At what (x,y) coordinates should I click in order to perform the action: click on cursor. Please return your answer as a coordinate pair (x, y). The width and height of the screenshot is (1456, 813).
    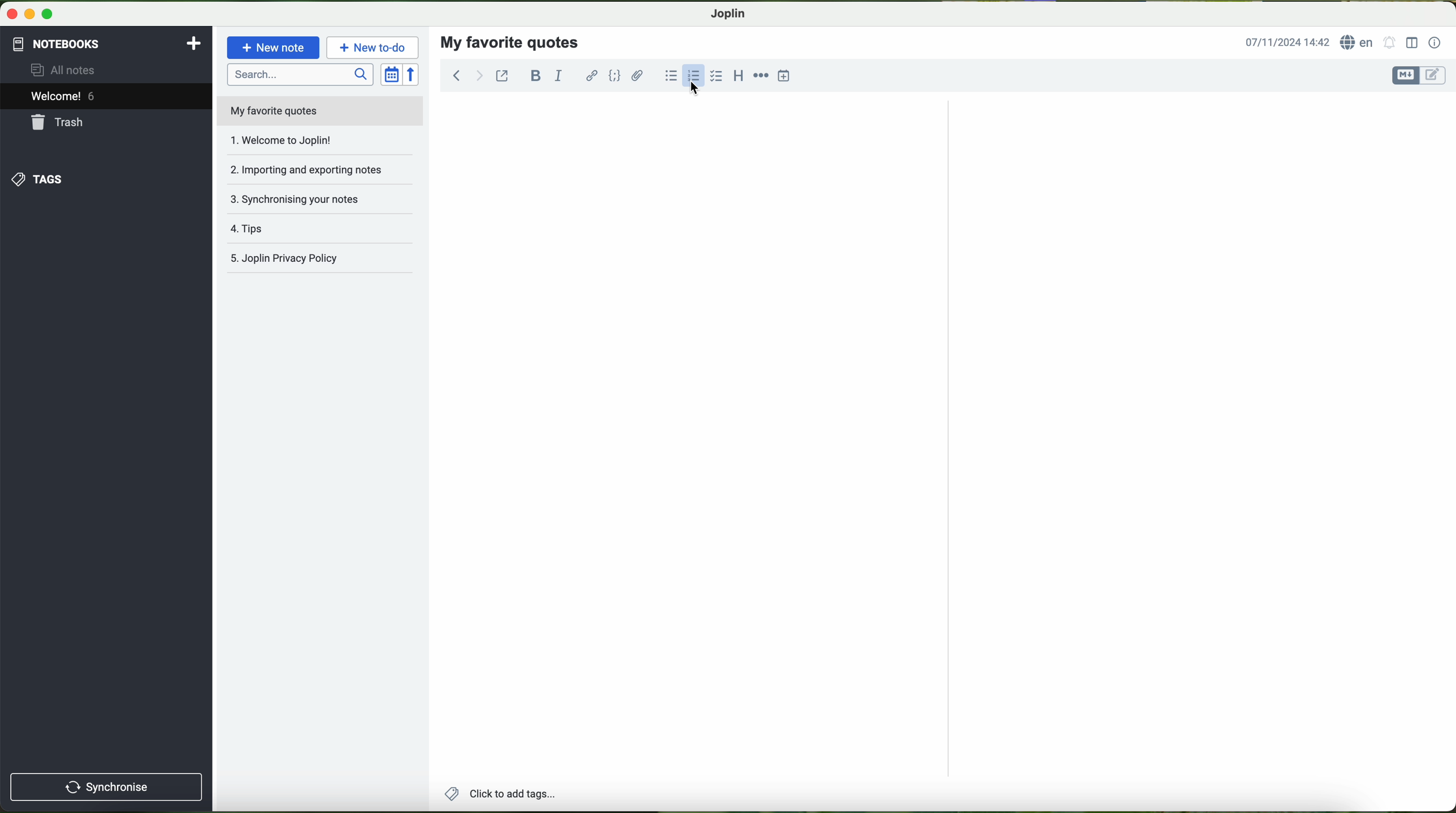
    Looking at the image, I should click on (695, 94).